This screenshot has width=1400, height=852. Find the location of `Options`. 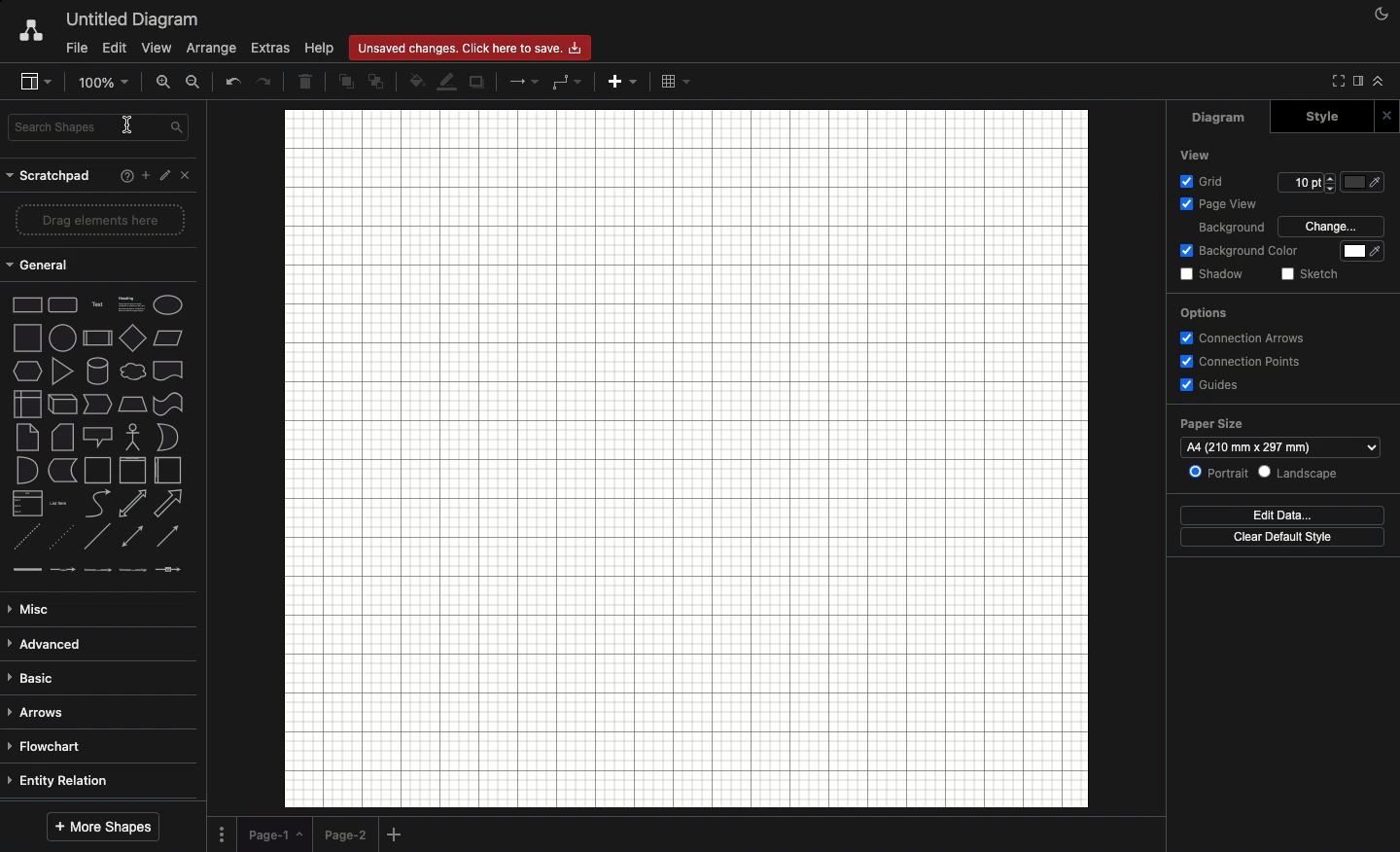

Options is located at coordinates (1210, 311).